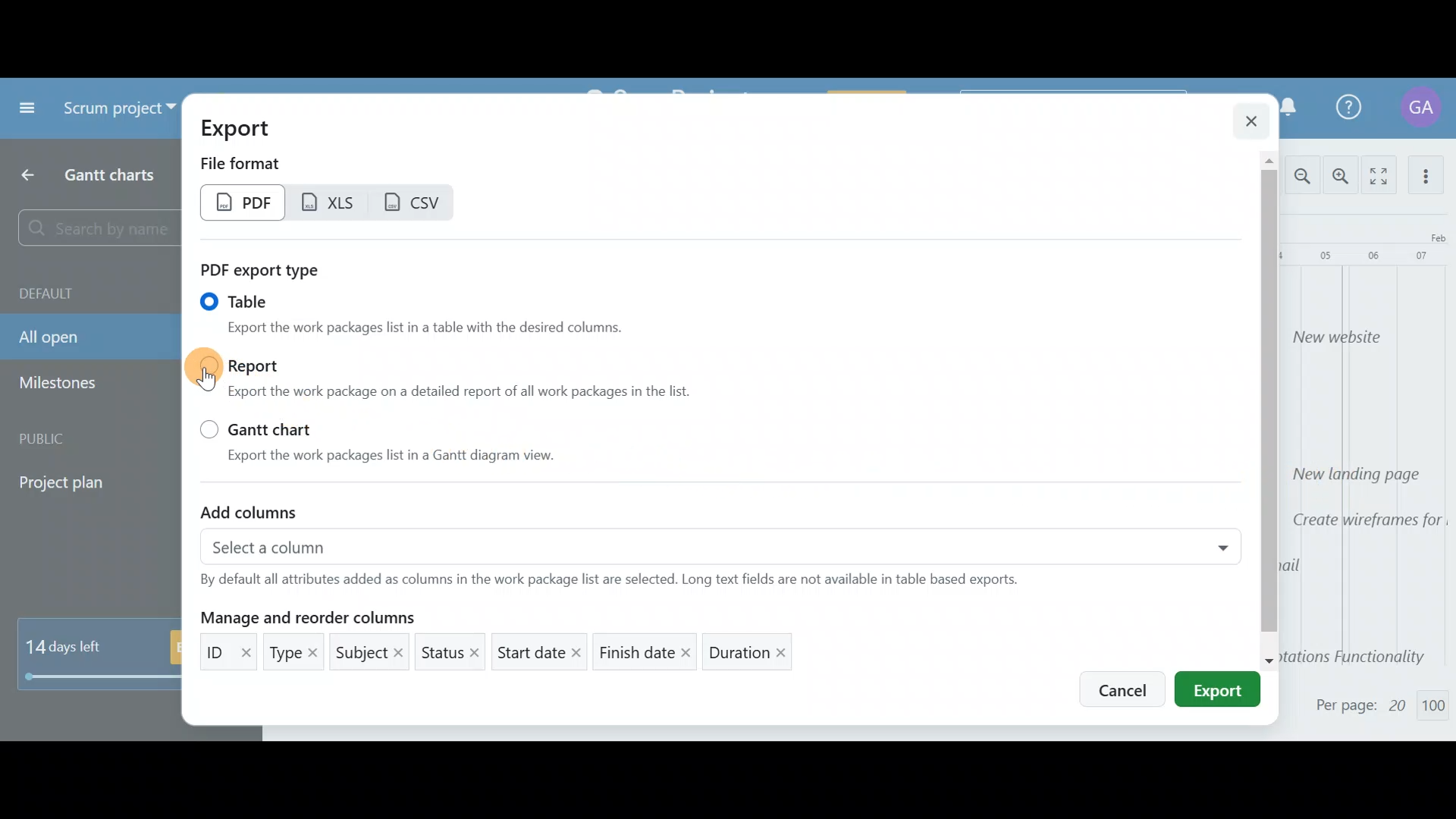 The width and height of the screenshot is (1456, 819). I want to click on Project plan, so click(93, 483).